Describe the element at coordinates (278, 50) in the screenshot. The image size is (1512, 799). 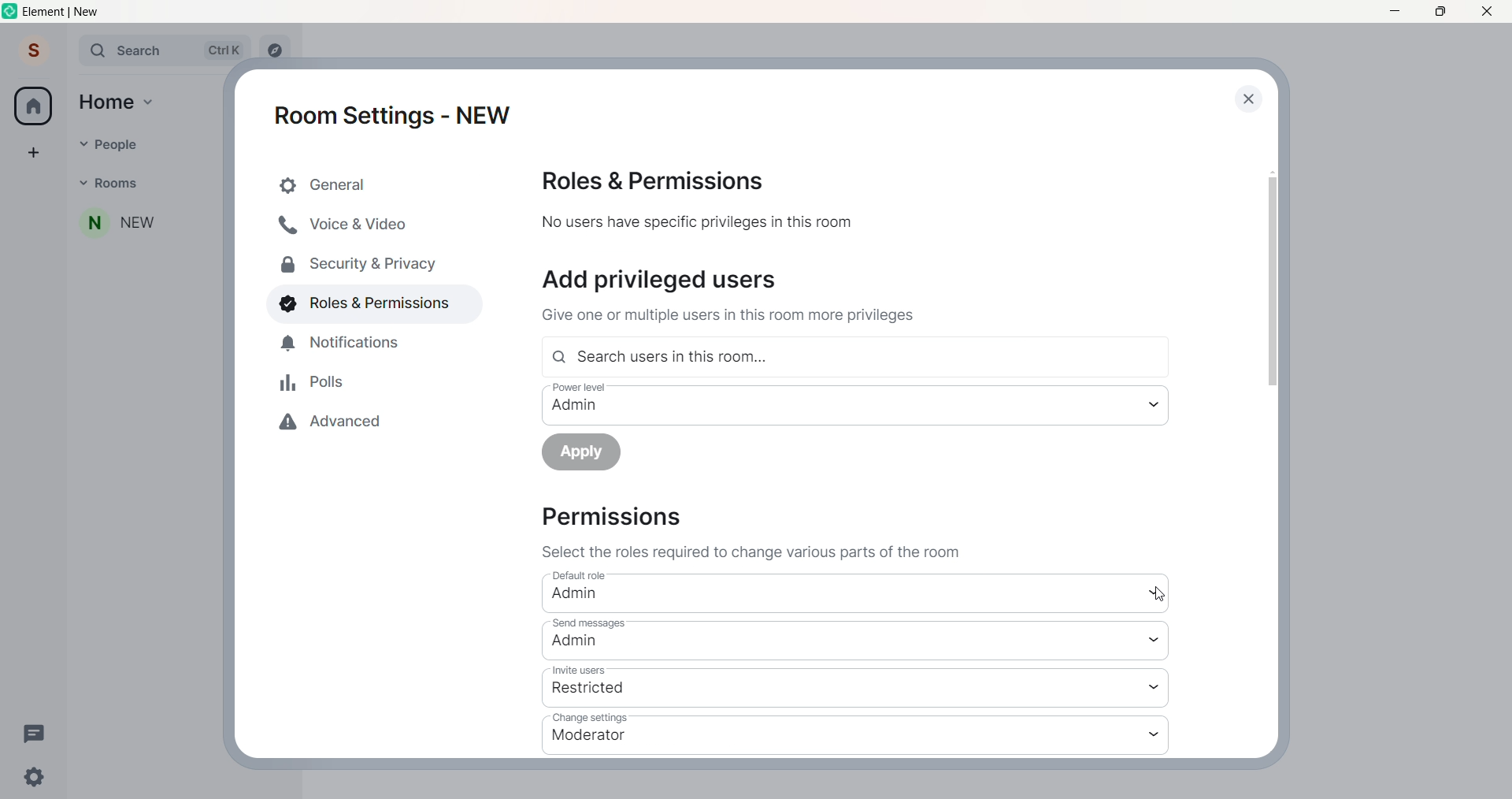
I see `explore` at that location.